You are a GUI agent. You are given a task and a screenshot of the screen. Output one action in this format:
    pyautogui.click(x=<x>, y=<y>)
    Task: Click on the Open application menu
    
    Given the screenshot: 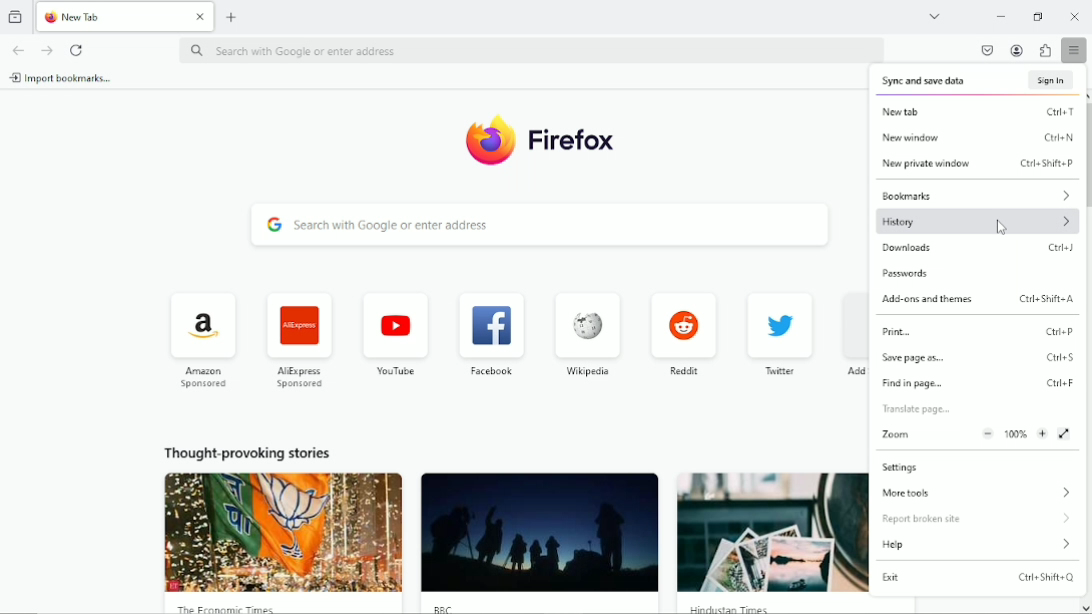 What is the action you would take?
    pyautogui.click(x=1075, y=50)
    